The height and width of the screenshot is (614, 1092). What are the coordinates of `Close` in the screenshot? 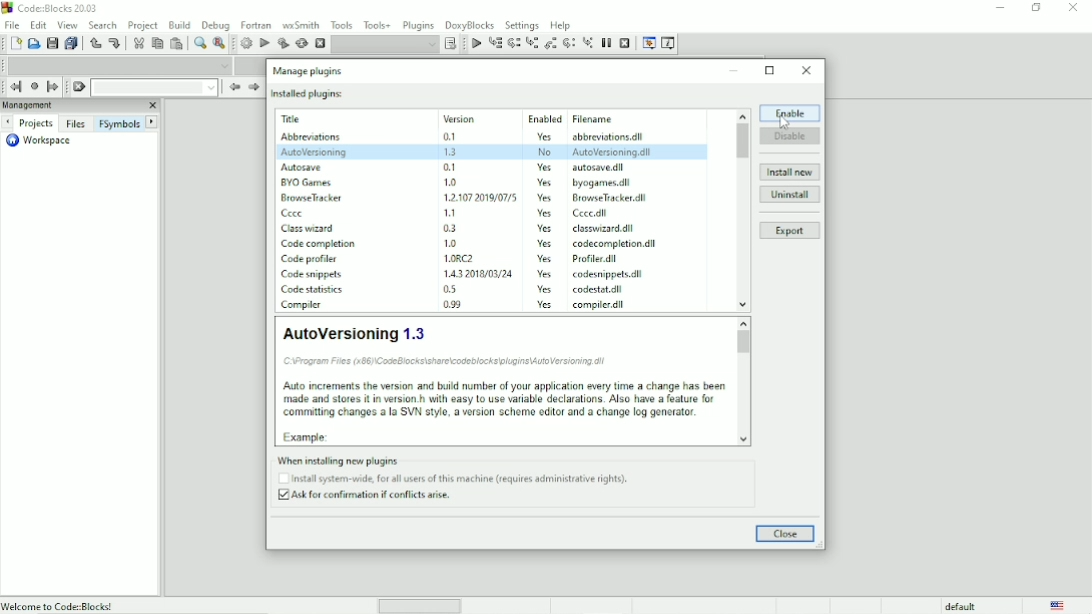 It's located at (807, 71).